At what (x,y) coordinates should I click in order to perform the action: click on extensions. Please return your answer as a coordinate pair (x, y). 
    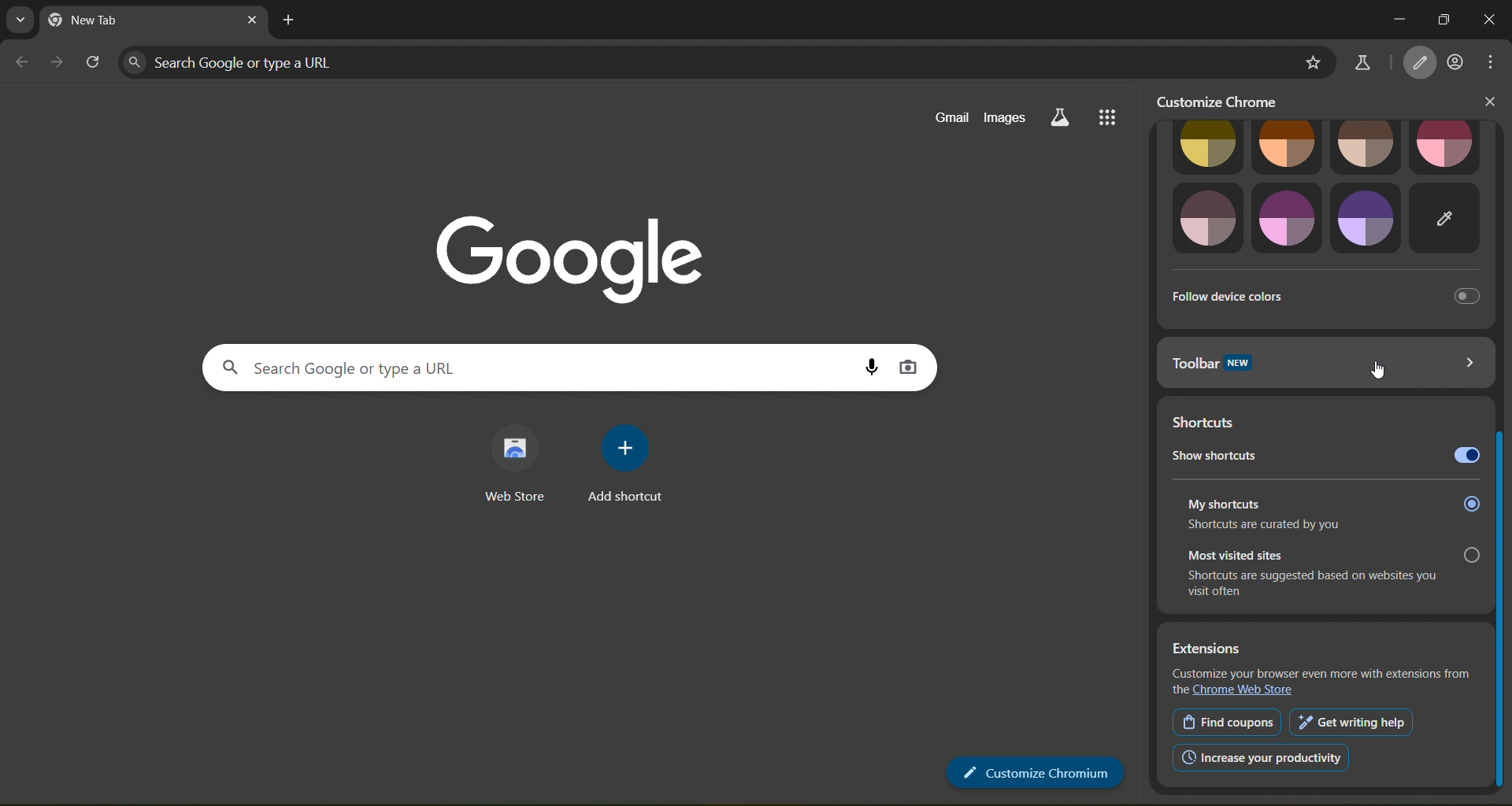
    Looking at the image, I should click on (1321, 649).